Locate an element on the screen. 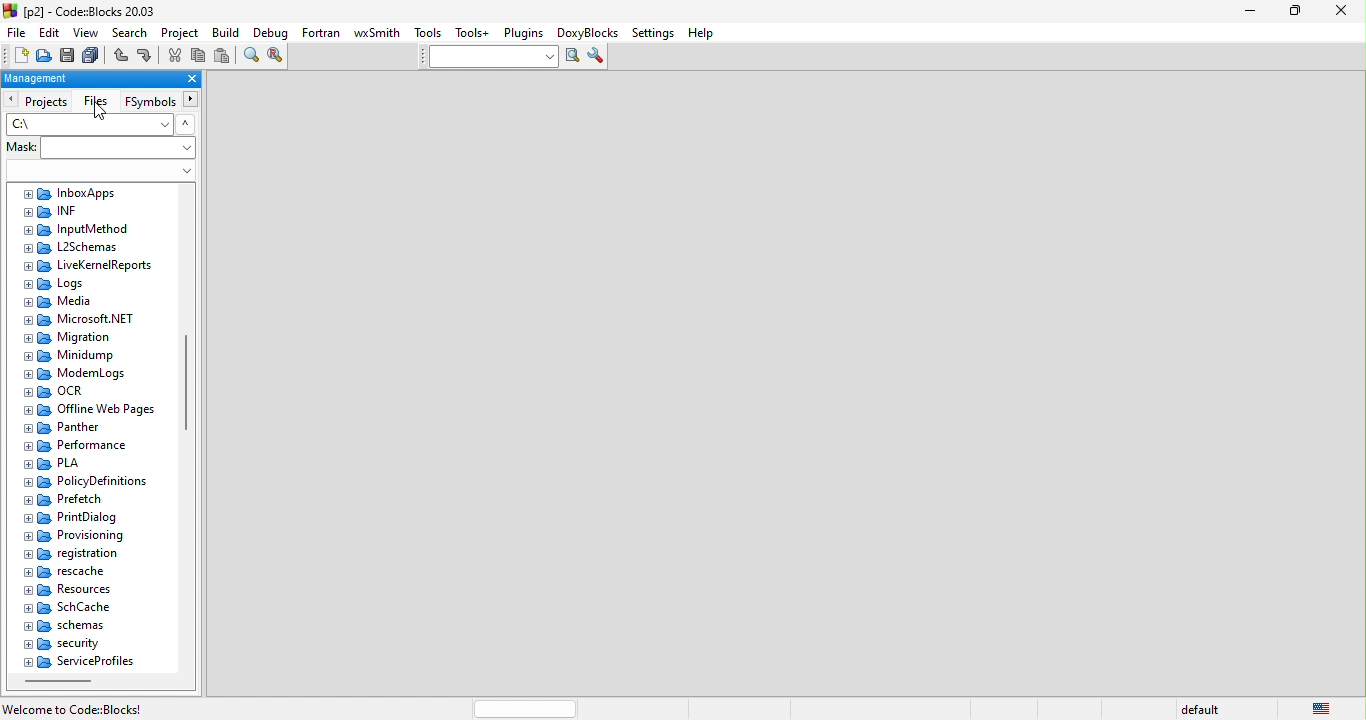 The width and height of the screenshot is (1366, 720). logs is located at coordinates (62, 285).